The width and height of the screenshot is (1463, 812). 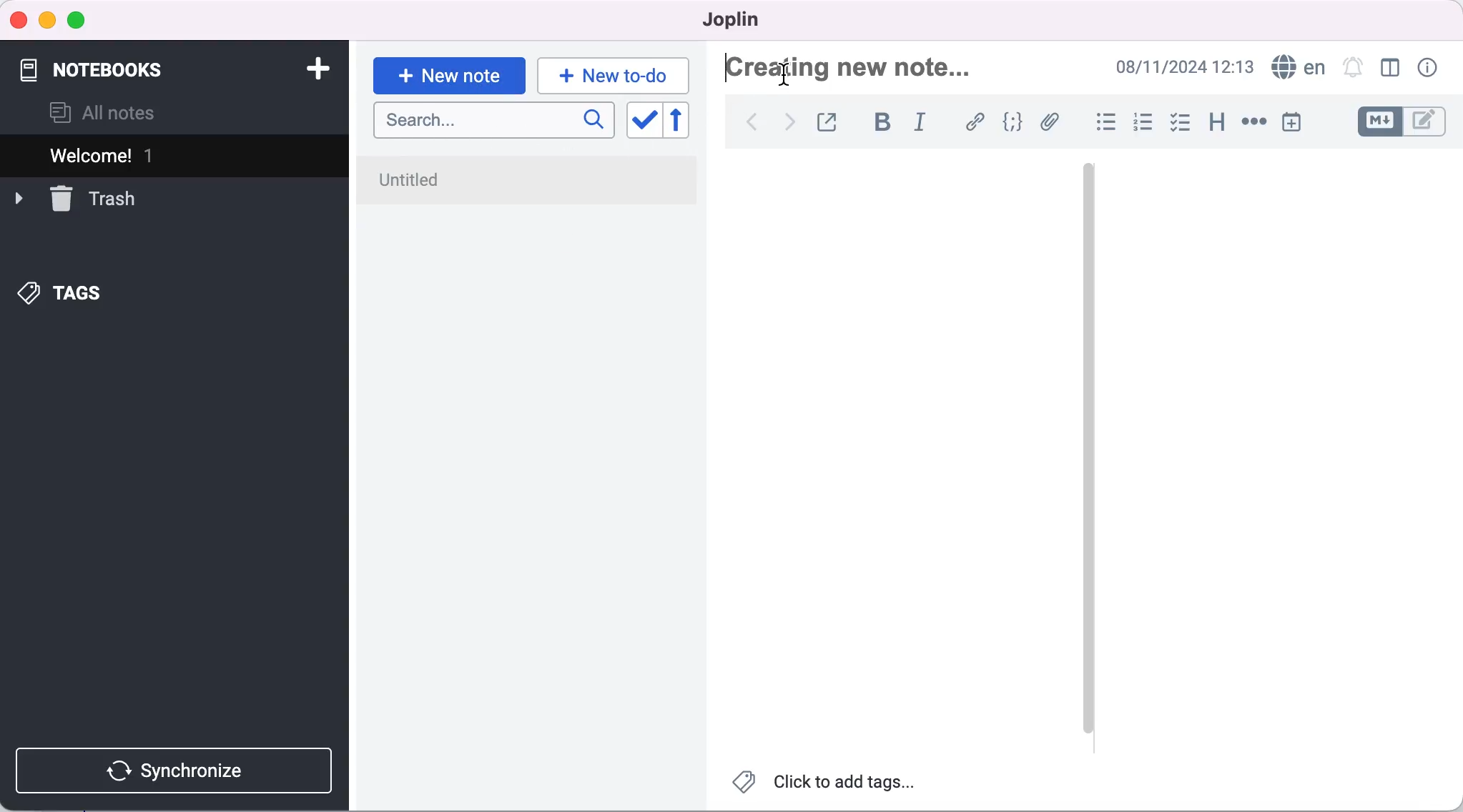 I want to click on blank canvas, so click(x=897, y=454).